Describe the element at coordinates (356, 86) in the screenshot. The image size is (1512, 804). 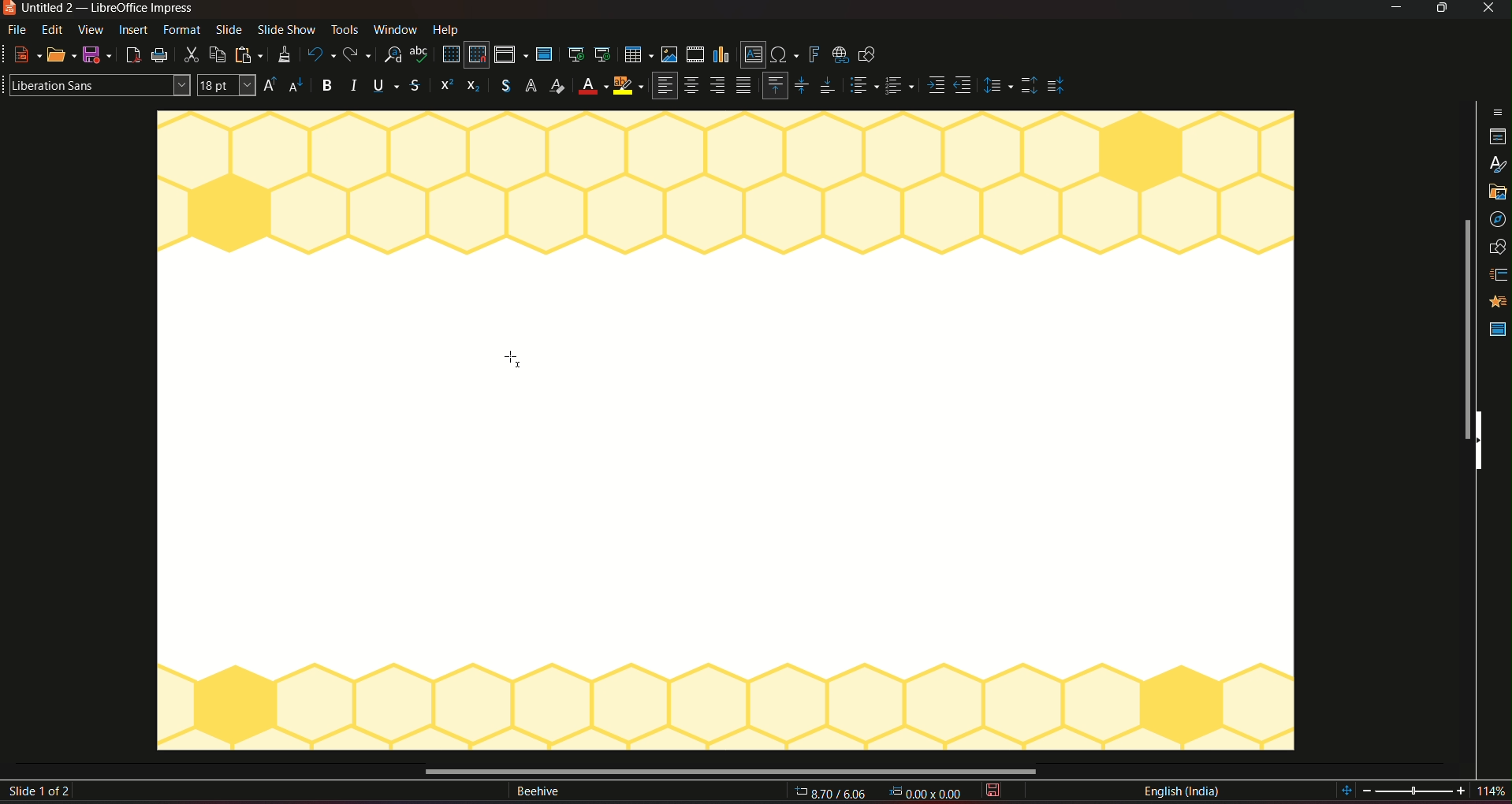
I see `Italic` at that location.